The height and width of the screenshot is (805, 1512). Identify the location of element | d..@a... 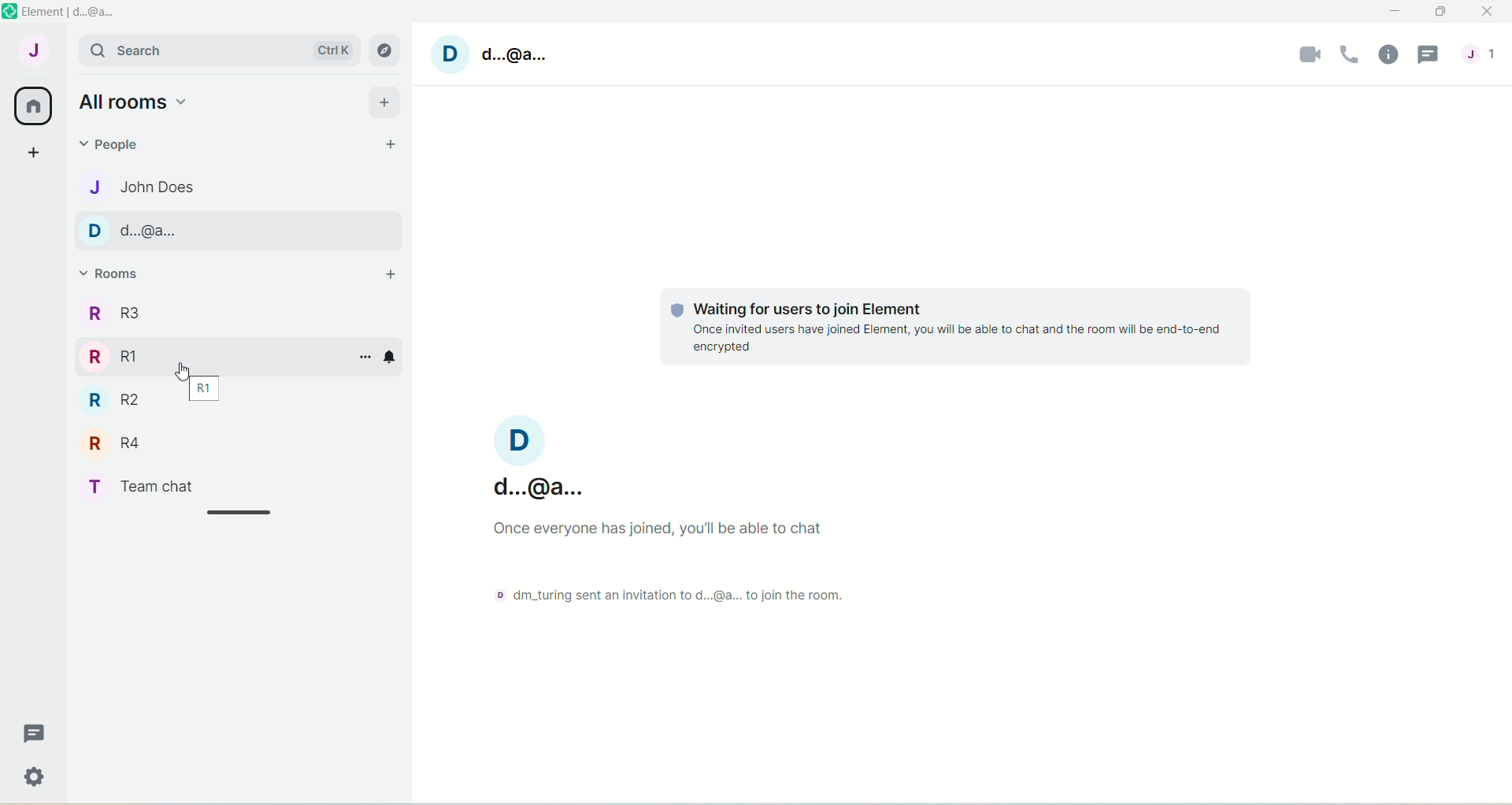
(70, 13).